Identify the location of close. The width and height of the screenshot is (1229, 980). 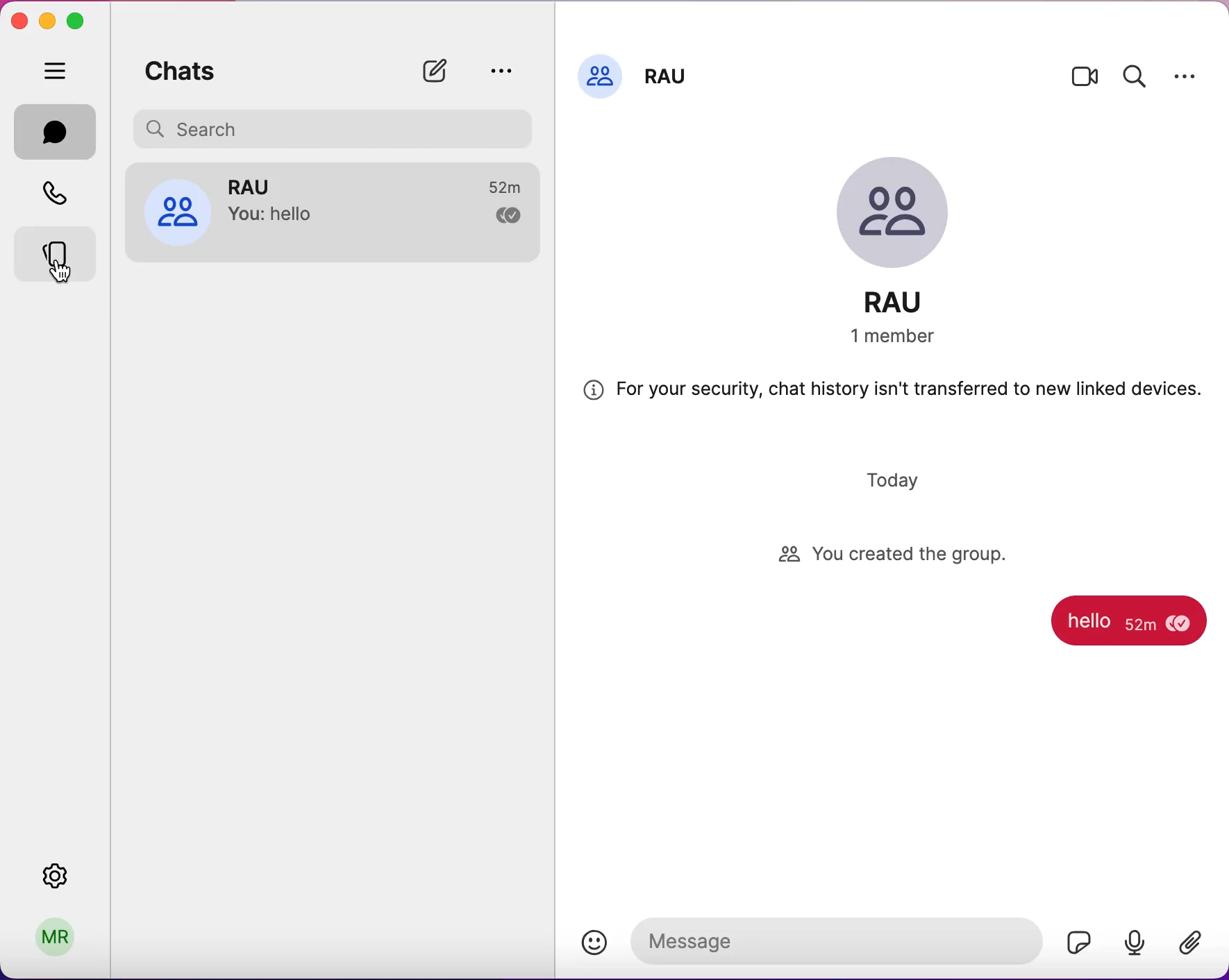
(19, 22).